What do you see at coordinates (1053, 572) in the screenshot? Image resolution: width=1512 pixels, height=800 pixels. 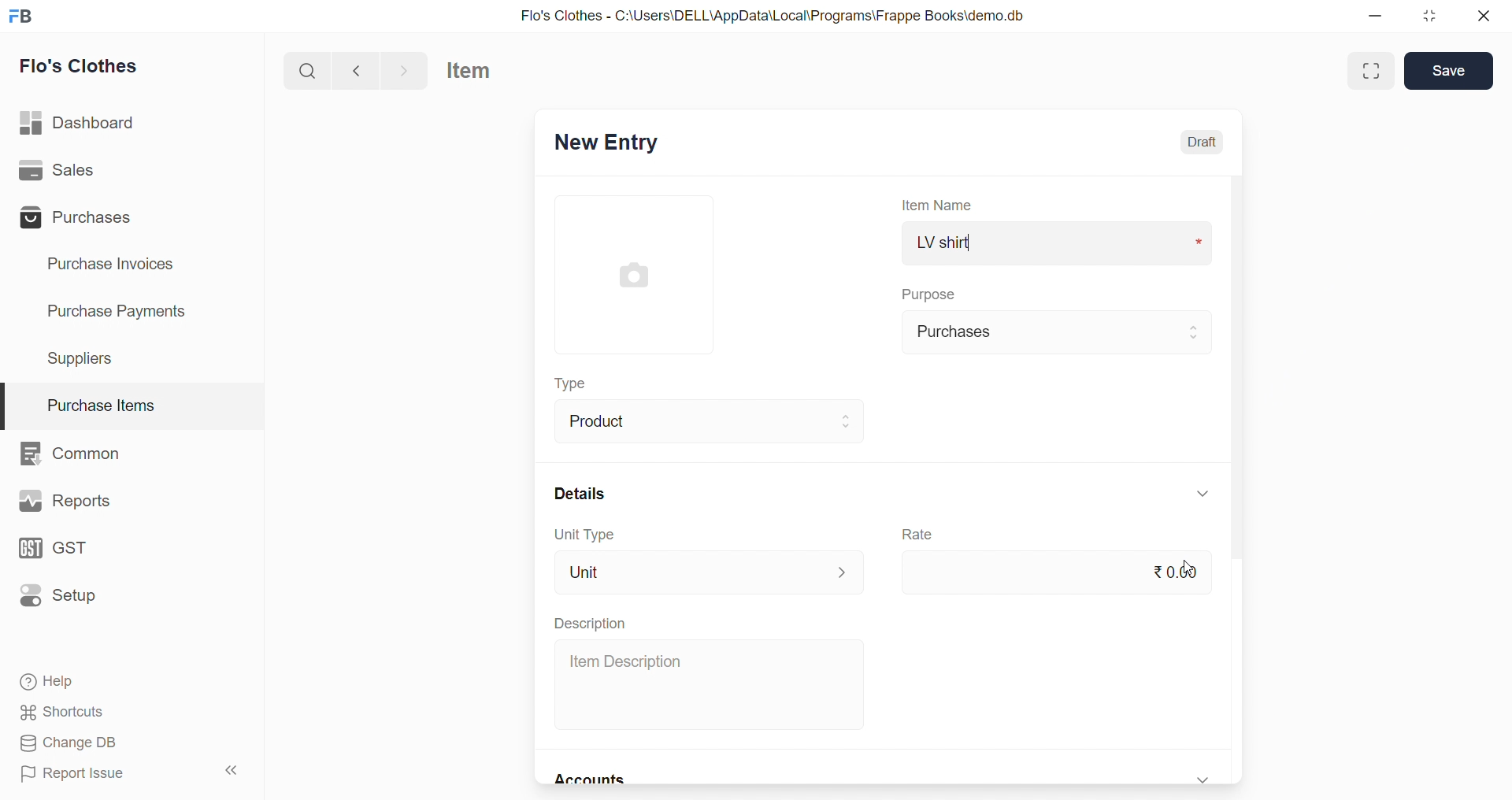 I see `₹0.00` at bounding box center [1053, 572].